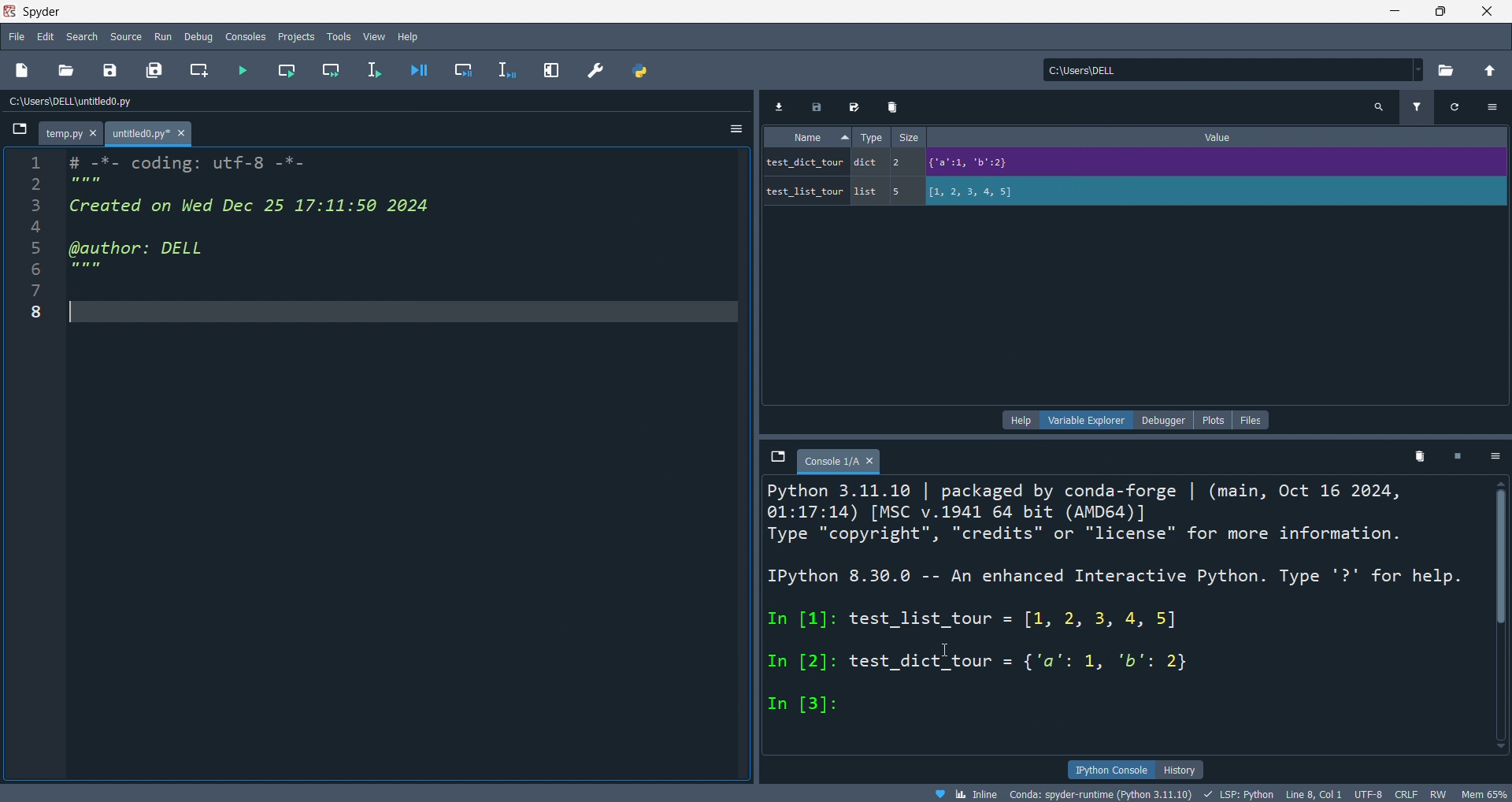 The image size is (1512, 802). I want to click on C:\Users\DELL \untitled0.py, so click(106, 103).